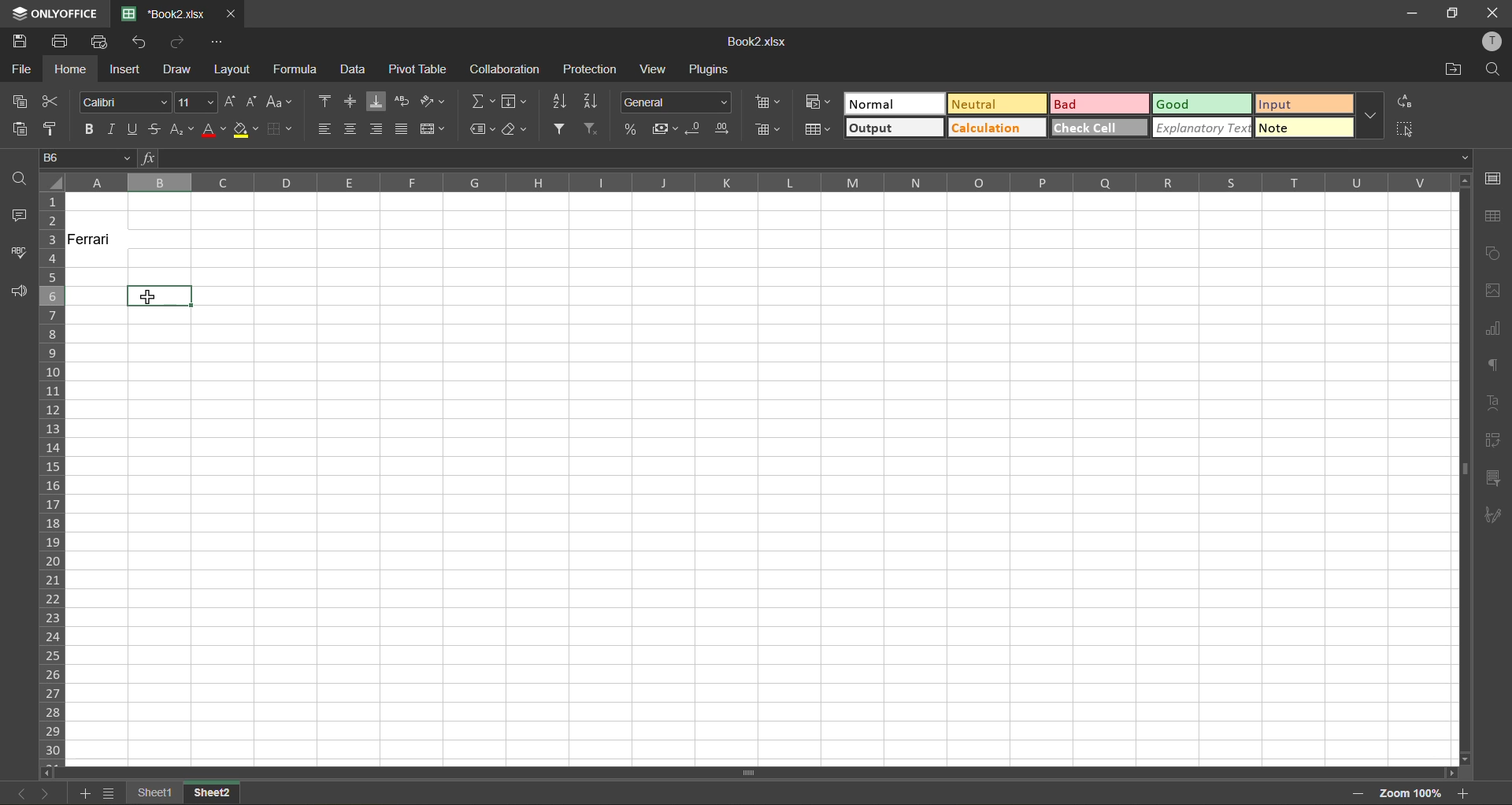 The height and width of the screenshot is (805, 1512). Describe the element at coordinates (1203, 105) in the screenshot. I see `good` at that location.